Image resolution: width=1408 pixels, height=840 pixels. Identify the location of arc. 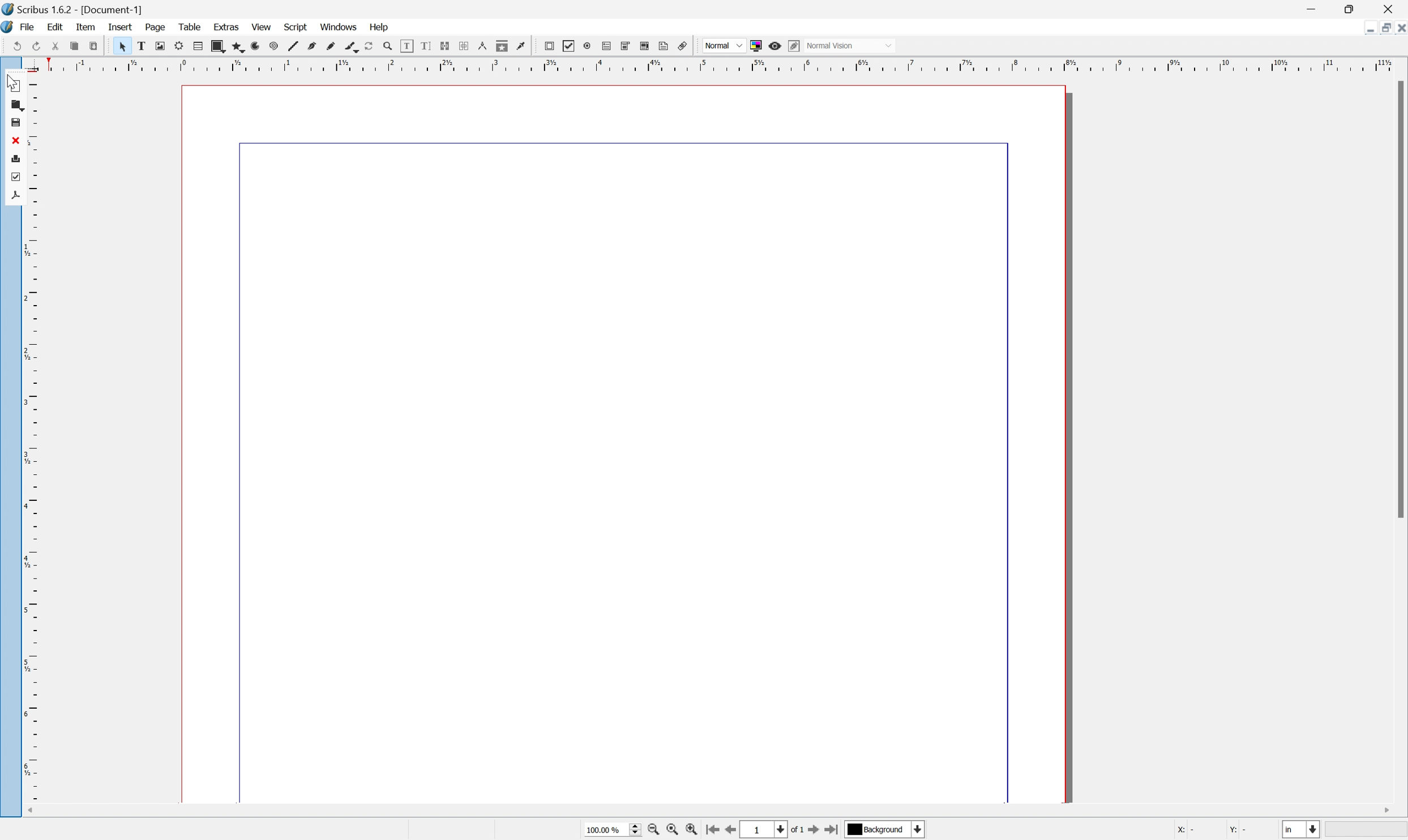
(387, 45).